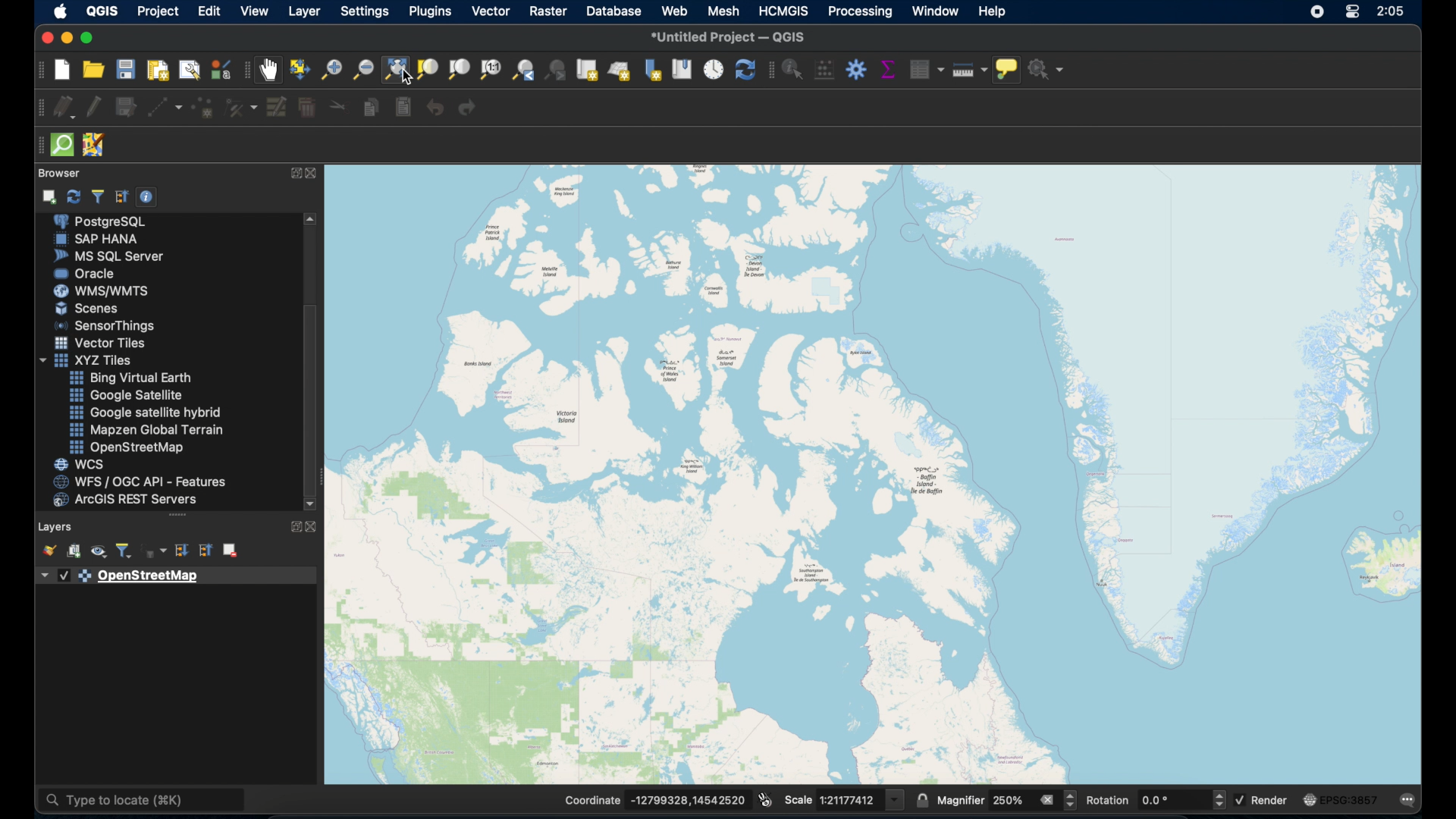 This screenshot has width=1456, height=819. What do you see at coordinates (490, 69) in the screenshot?
I see `` at bounding box center [490, 69].